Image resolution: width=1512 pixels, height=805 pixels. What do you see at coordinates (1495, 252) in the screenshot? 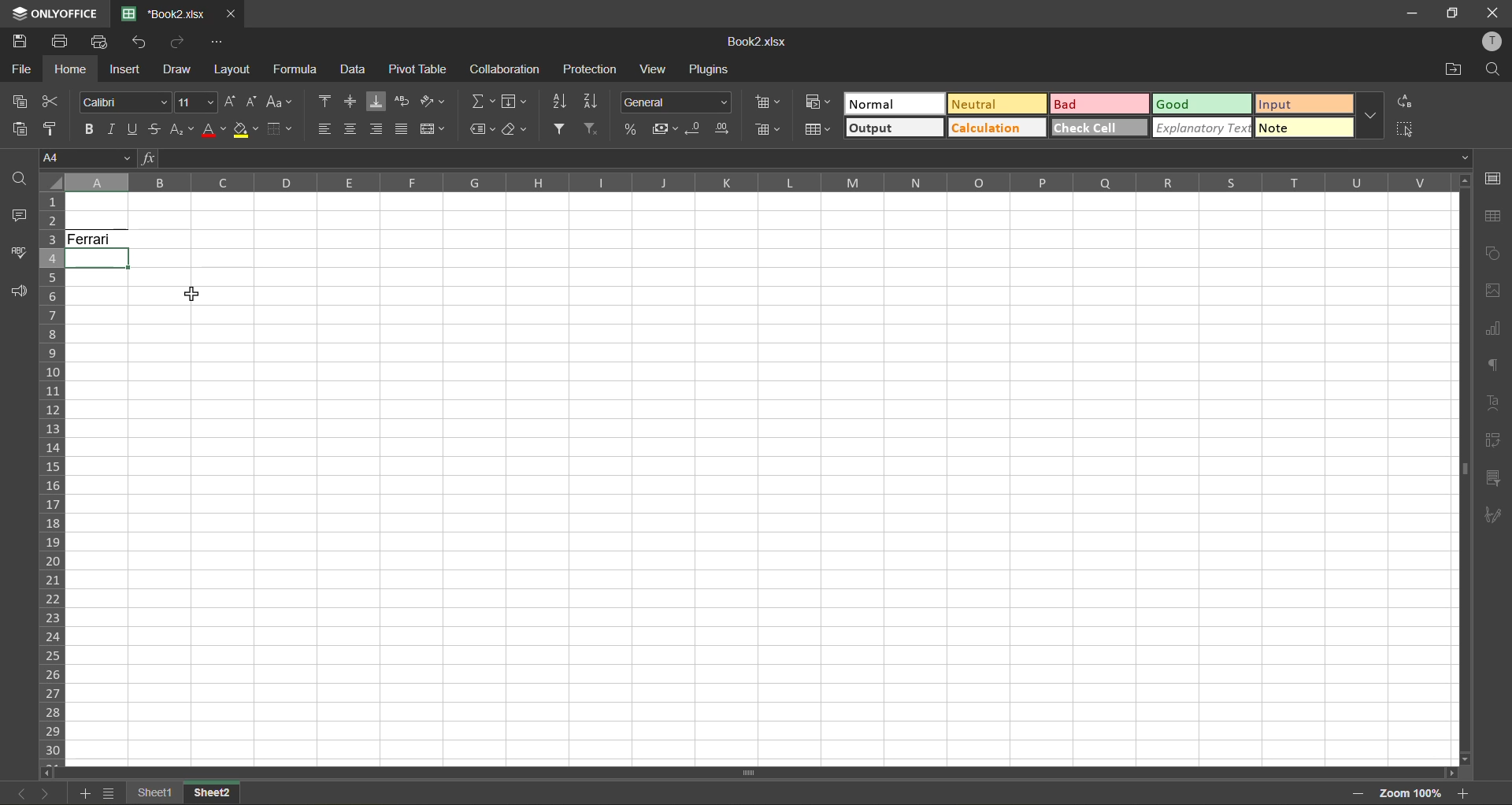
I see `shapes` at bounding box center [1495, 252].